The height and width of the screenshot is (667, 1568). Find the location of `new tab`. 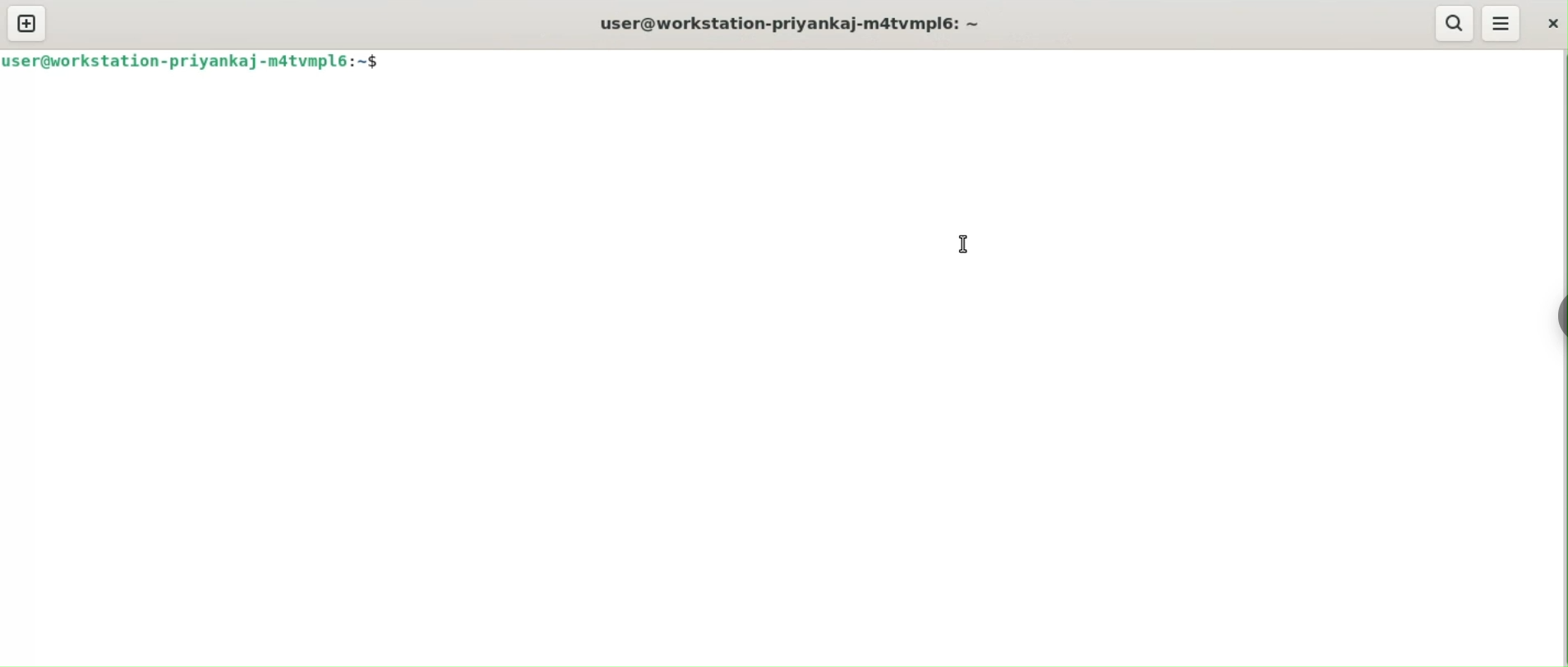

new tab is located at coordinates (27, 23).